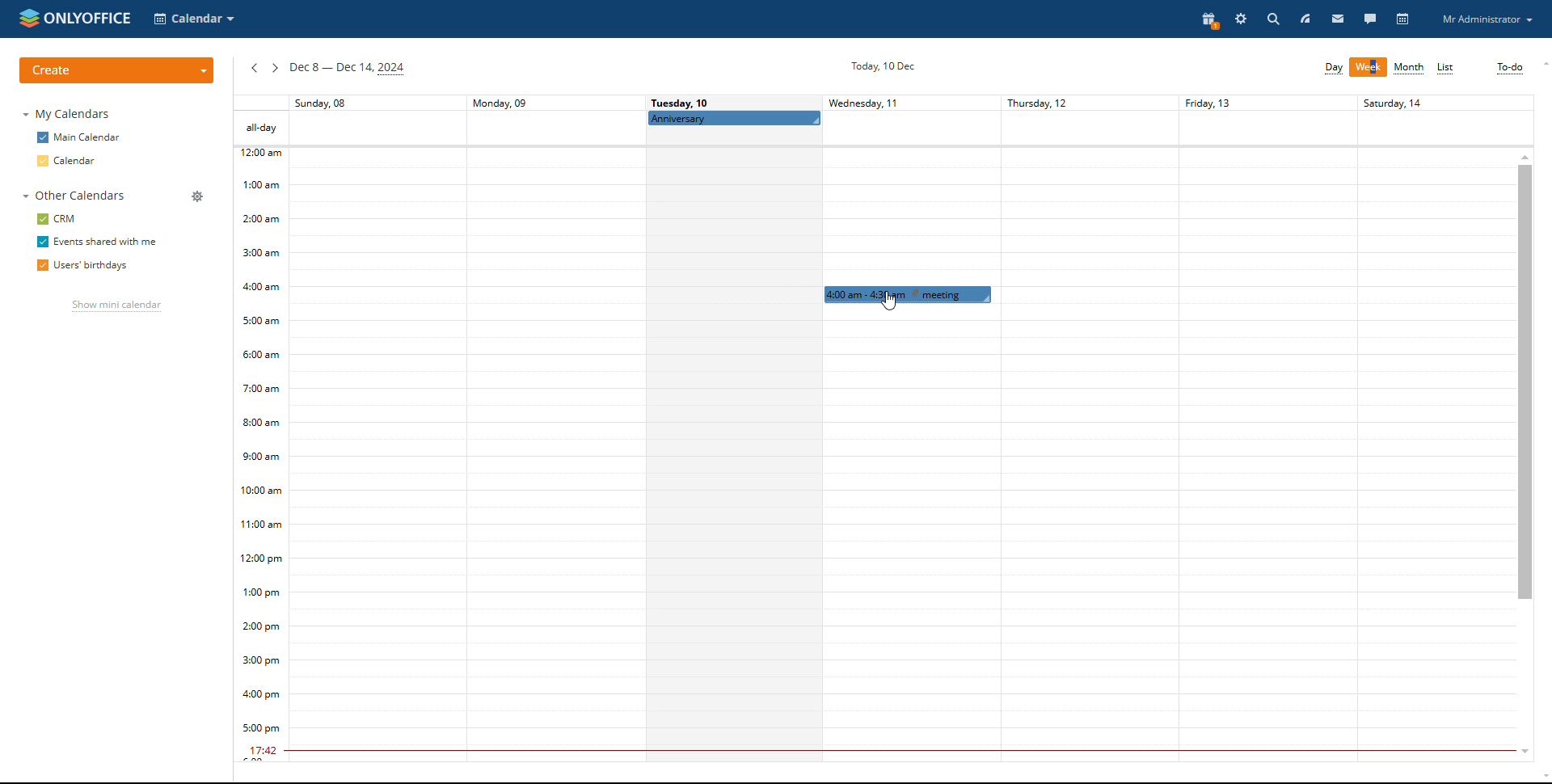 This screenshot has height=784, width=1552. What do you see at coordinates (70, 114) in the screenshot?
I see `my calendar` at bounding box center [70, 114].